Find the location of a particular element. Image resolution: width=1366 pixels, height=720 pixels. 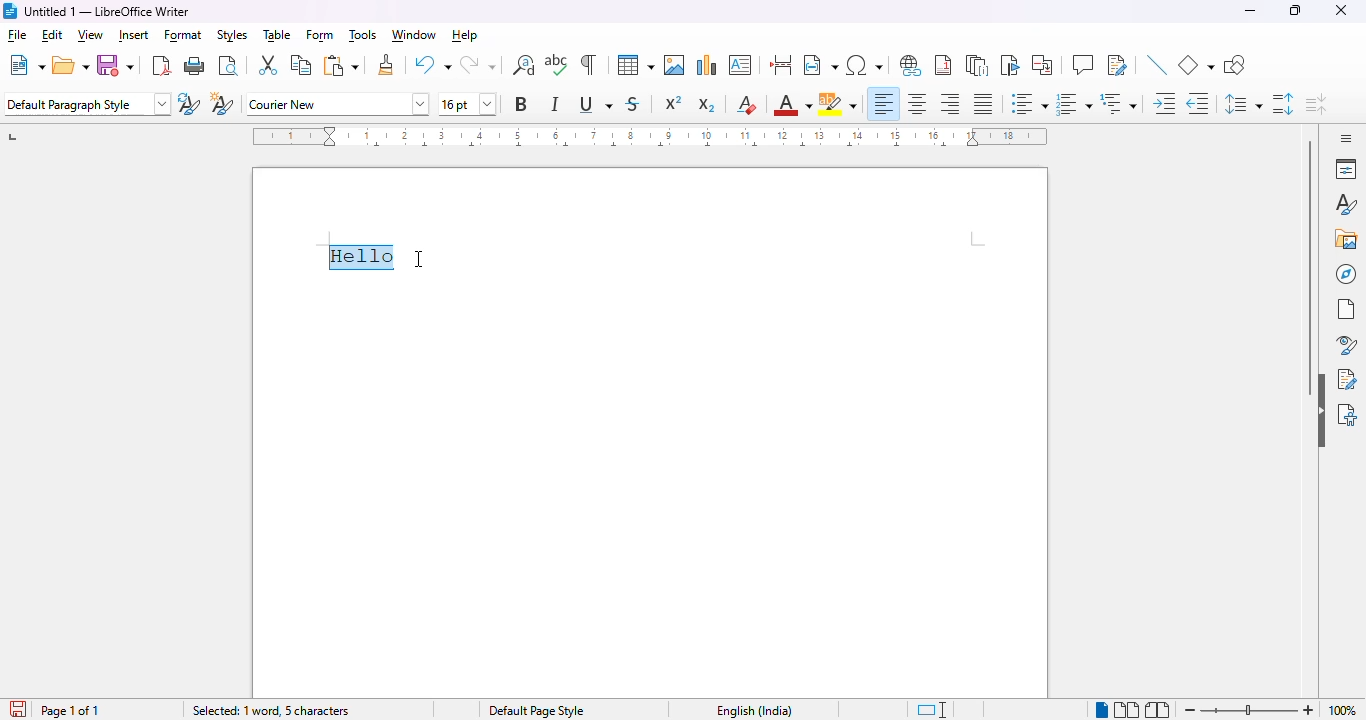

page is located at coordinates (1347, 309).